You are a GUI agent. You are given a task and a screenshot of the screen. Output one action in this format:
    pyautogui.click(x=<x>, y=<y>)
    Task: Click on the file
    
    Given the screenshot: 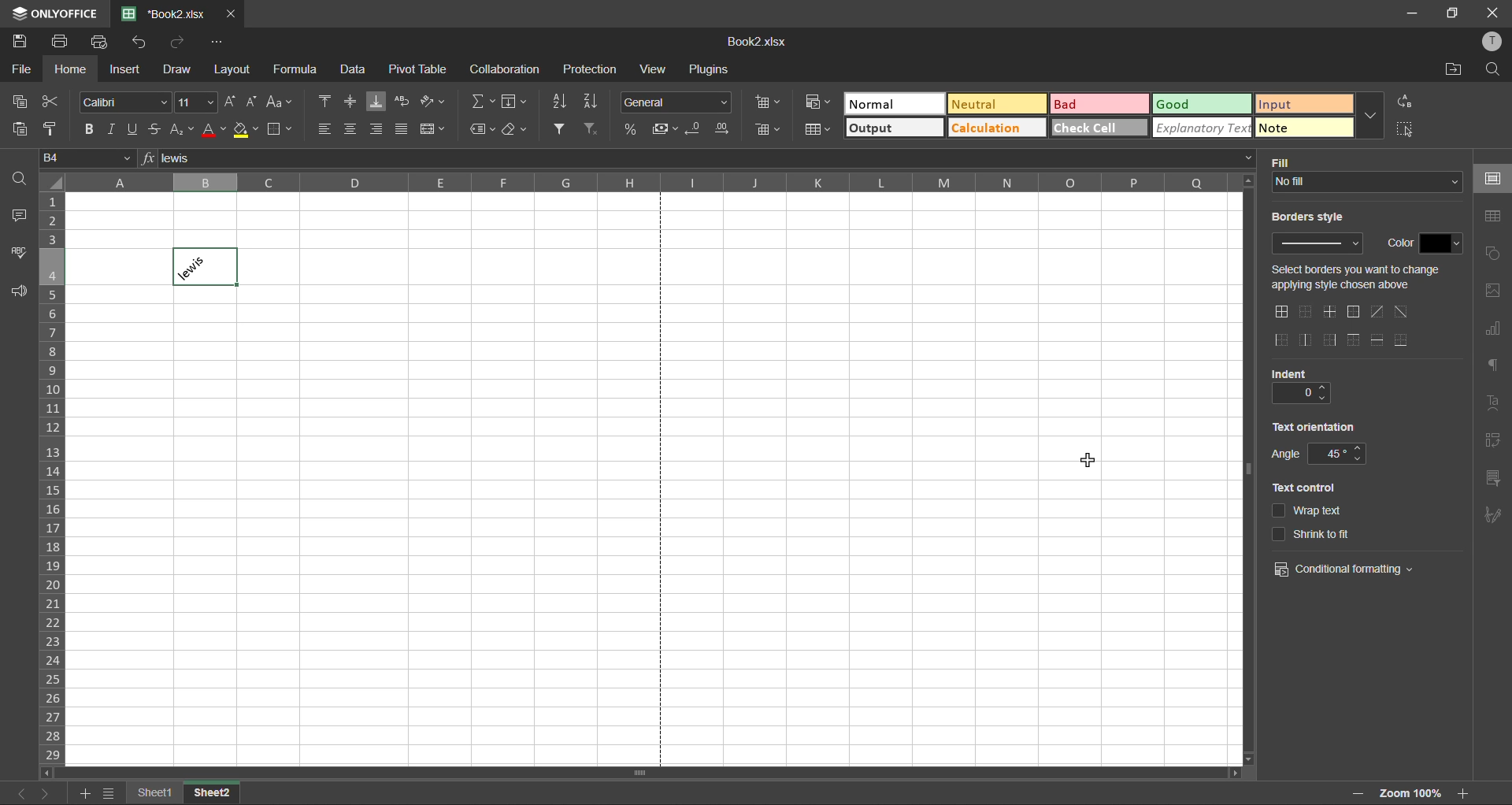 What is the action you would take?
    pyautogui.click(x=22, y=69)
    